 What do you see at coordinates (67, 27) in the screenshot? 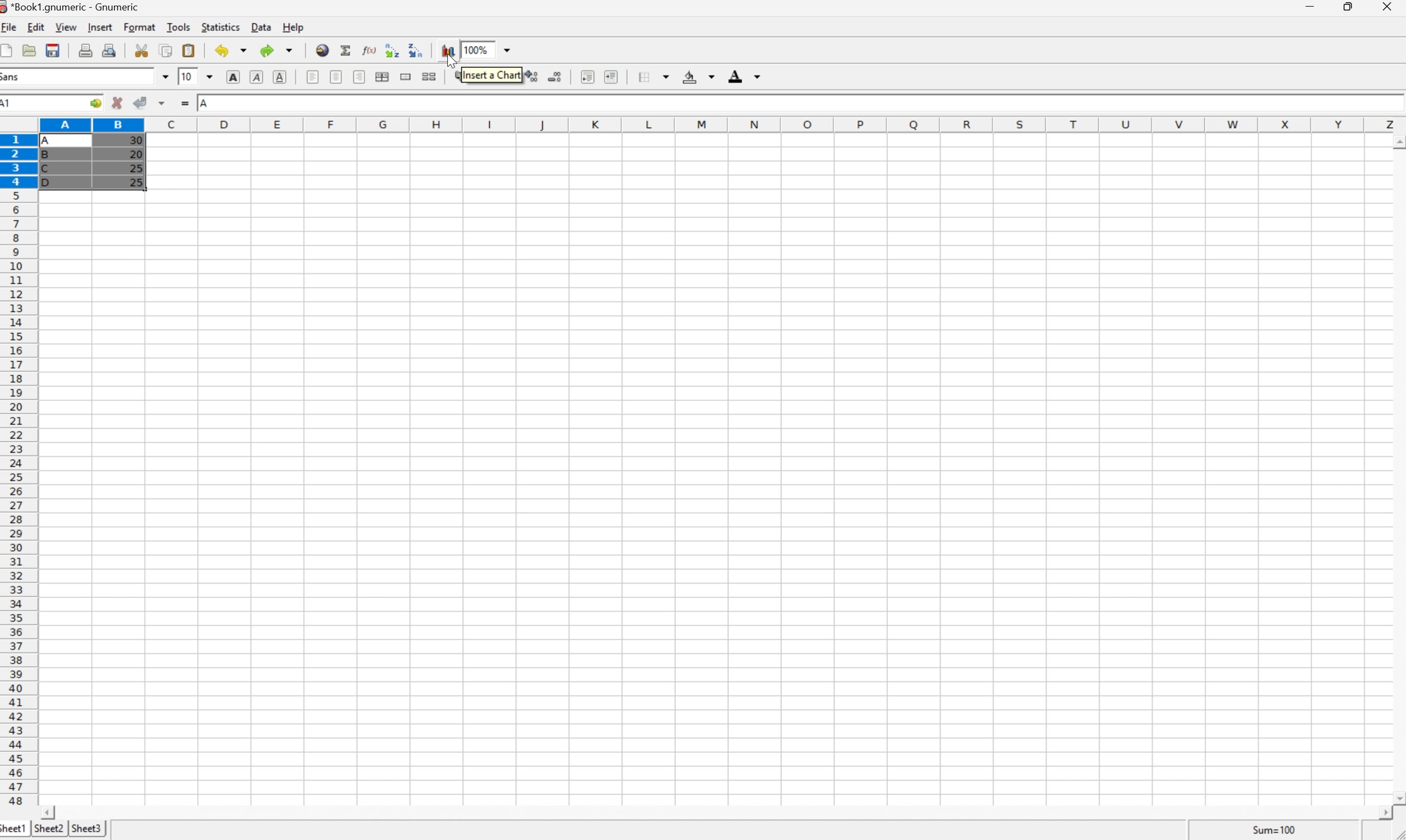
I see `View` at bounding box center [67, 27].